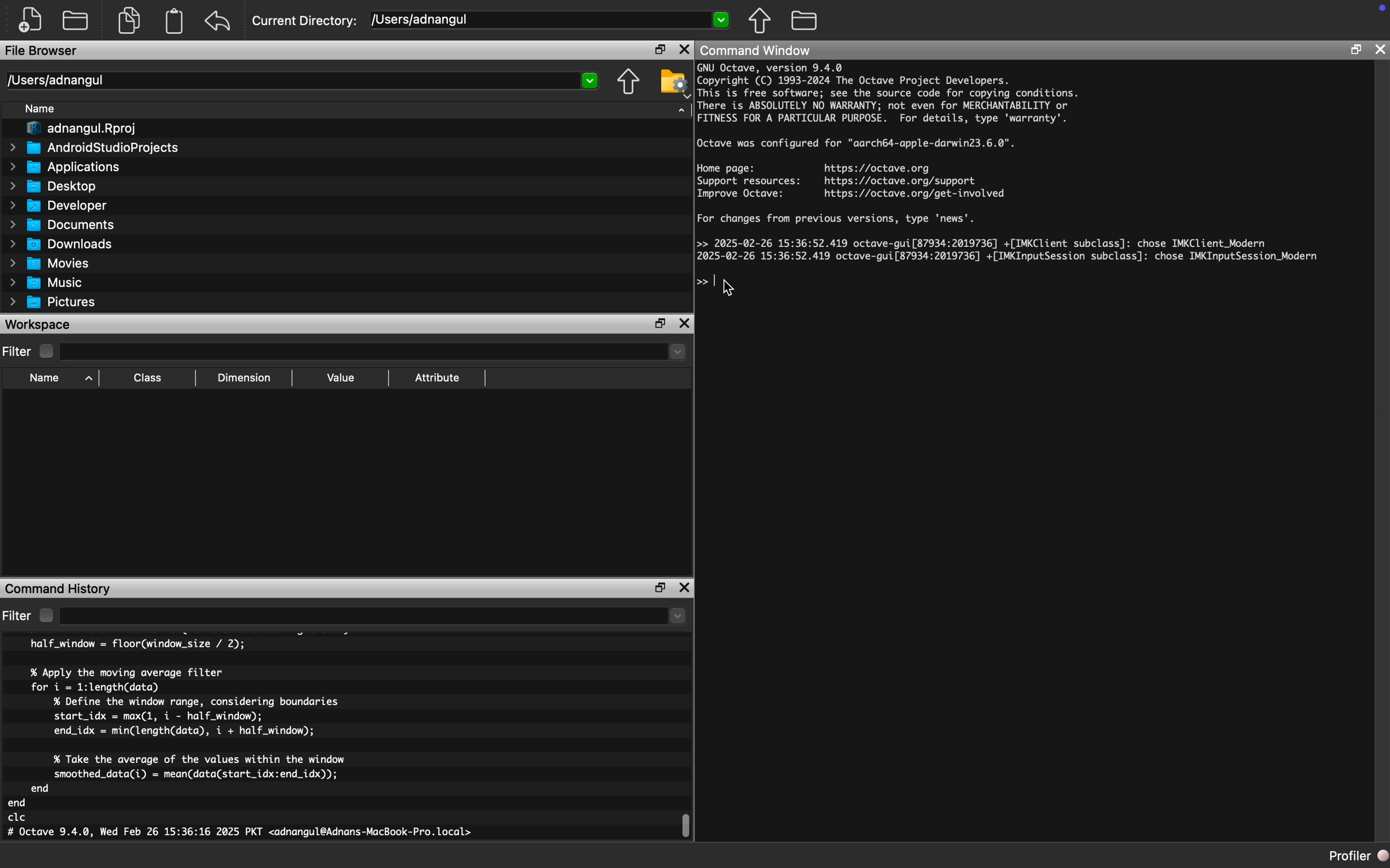 Image resolution: width=1390 pixels, height=868 pixels. Describe the element at coordinates (674, 83) in the screenshot. I see `Folder Settings` at that location.